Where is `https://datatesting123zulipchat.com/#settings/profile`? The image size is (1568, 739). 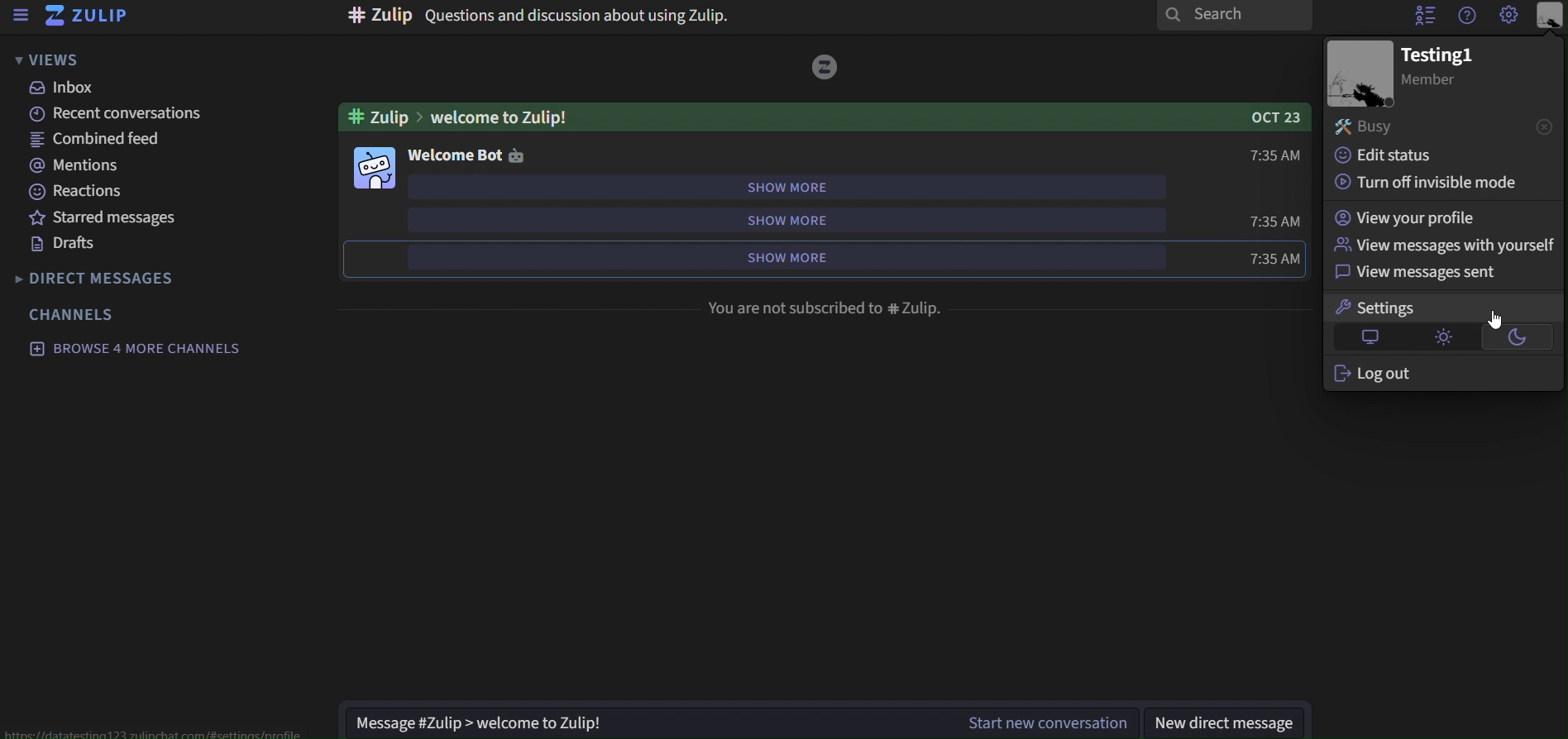
https://datatesting123zulipchat.com/#settings/profile is located at coordinates (157, 734).